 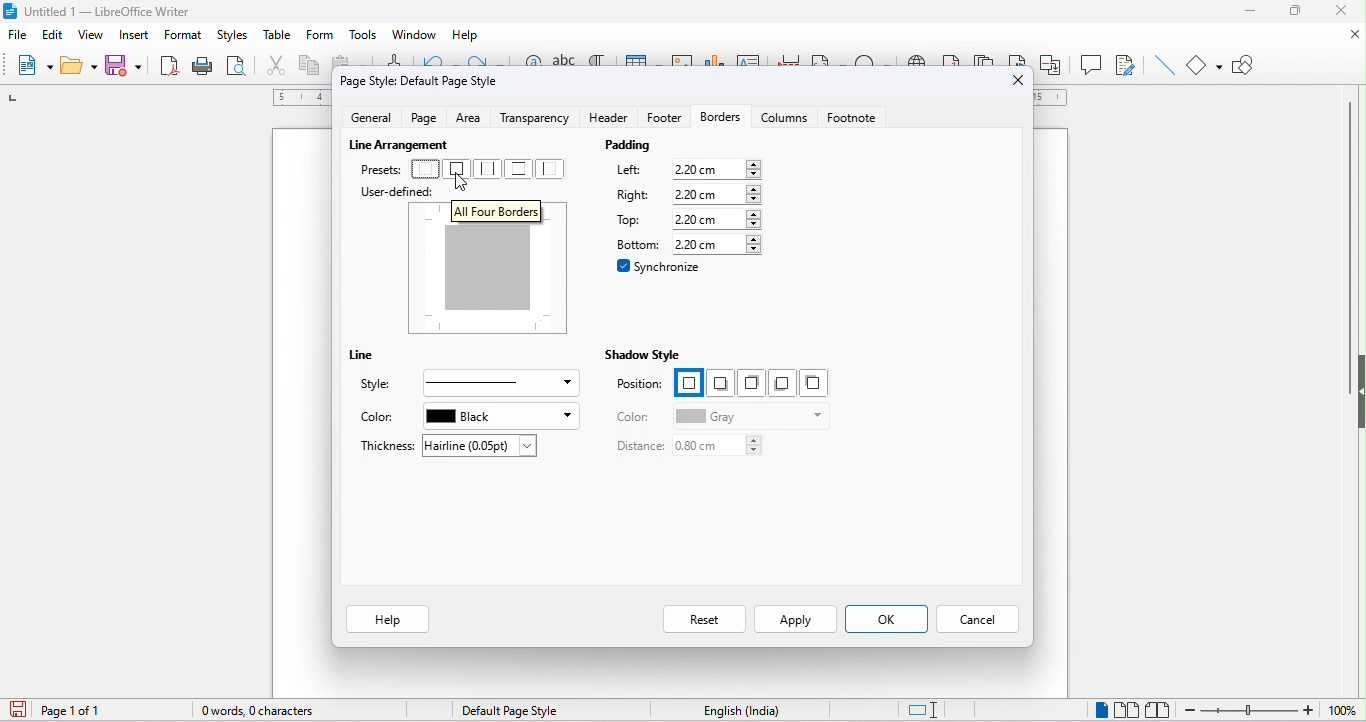 What do you see at coordinates (98, 12) in the screenshot?
I see `title` at bounding box center [98, 12].